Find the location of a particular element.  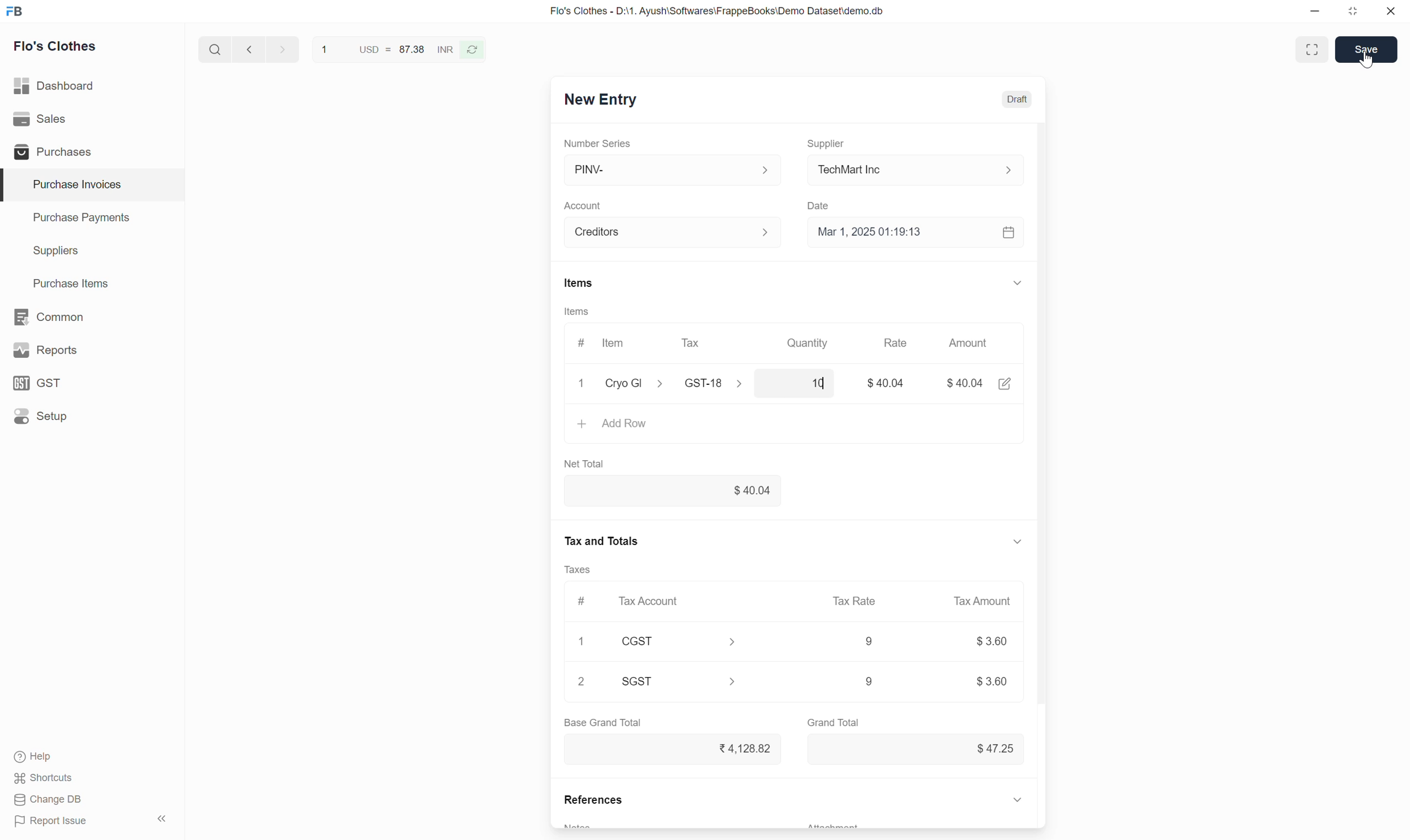

frappe books logo is located at coordinates (17, 11).